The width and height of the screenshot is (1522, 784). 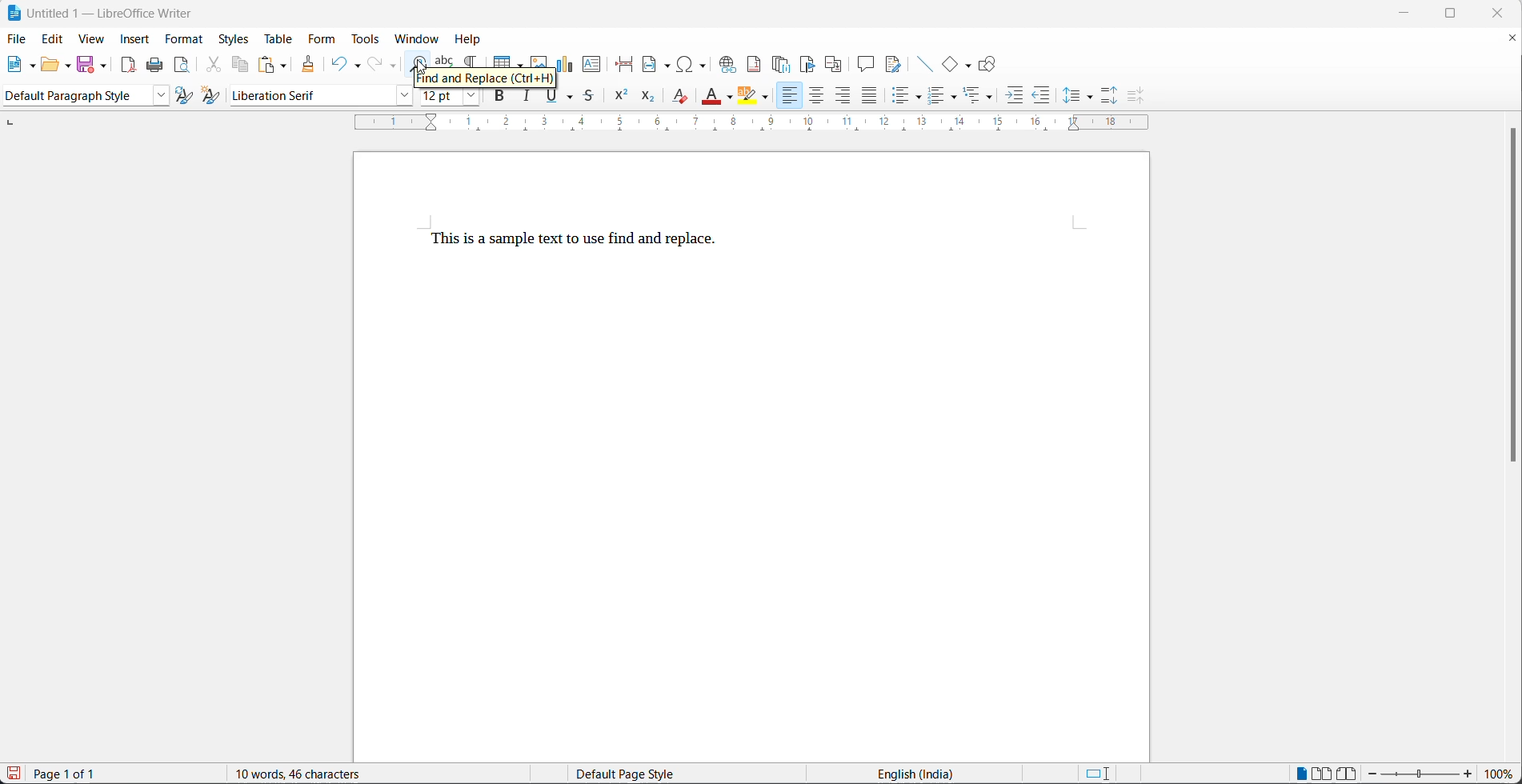 I want to click on view, so click(x=91, y=40).